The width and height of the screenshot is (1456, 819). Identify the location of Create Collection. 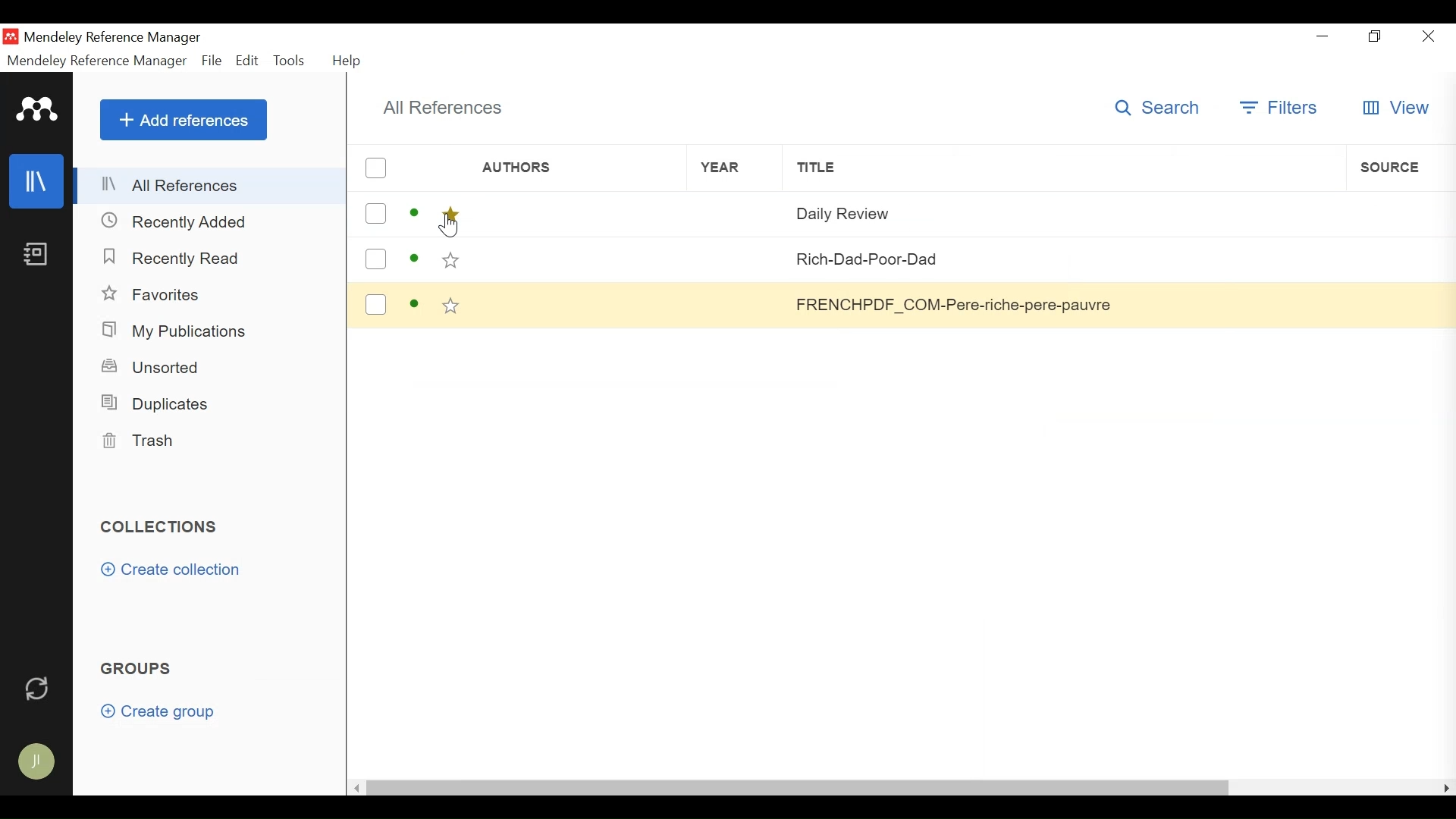
(172, 570).